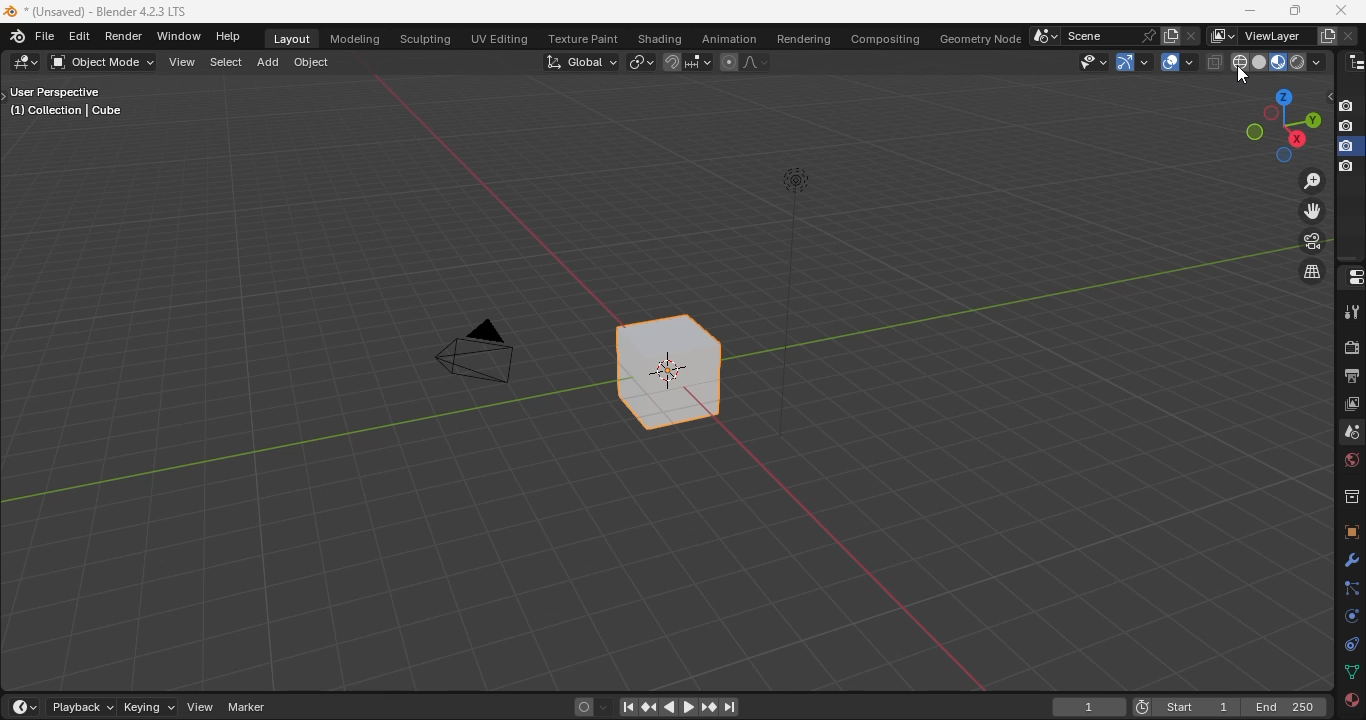 The image size is (1366, 720). I want to click on Global, so click(582, 63).